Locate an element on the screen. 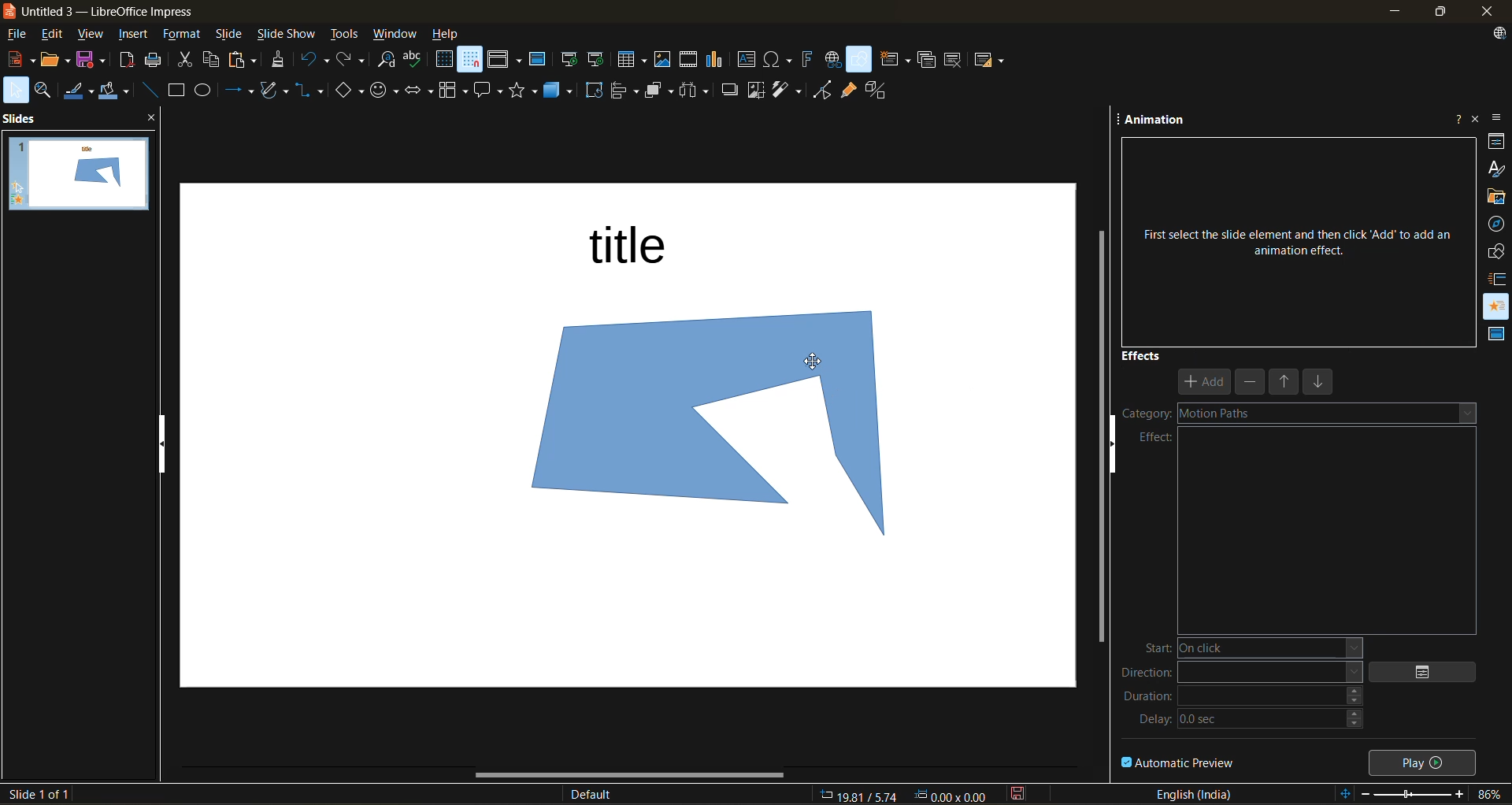  click to save is located at coordinates (1017, 793).